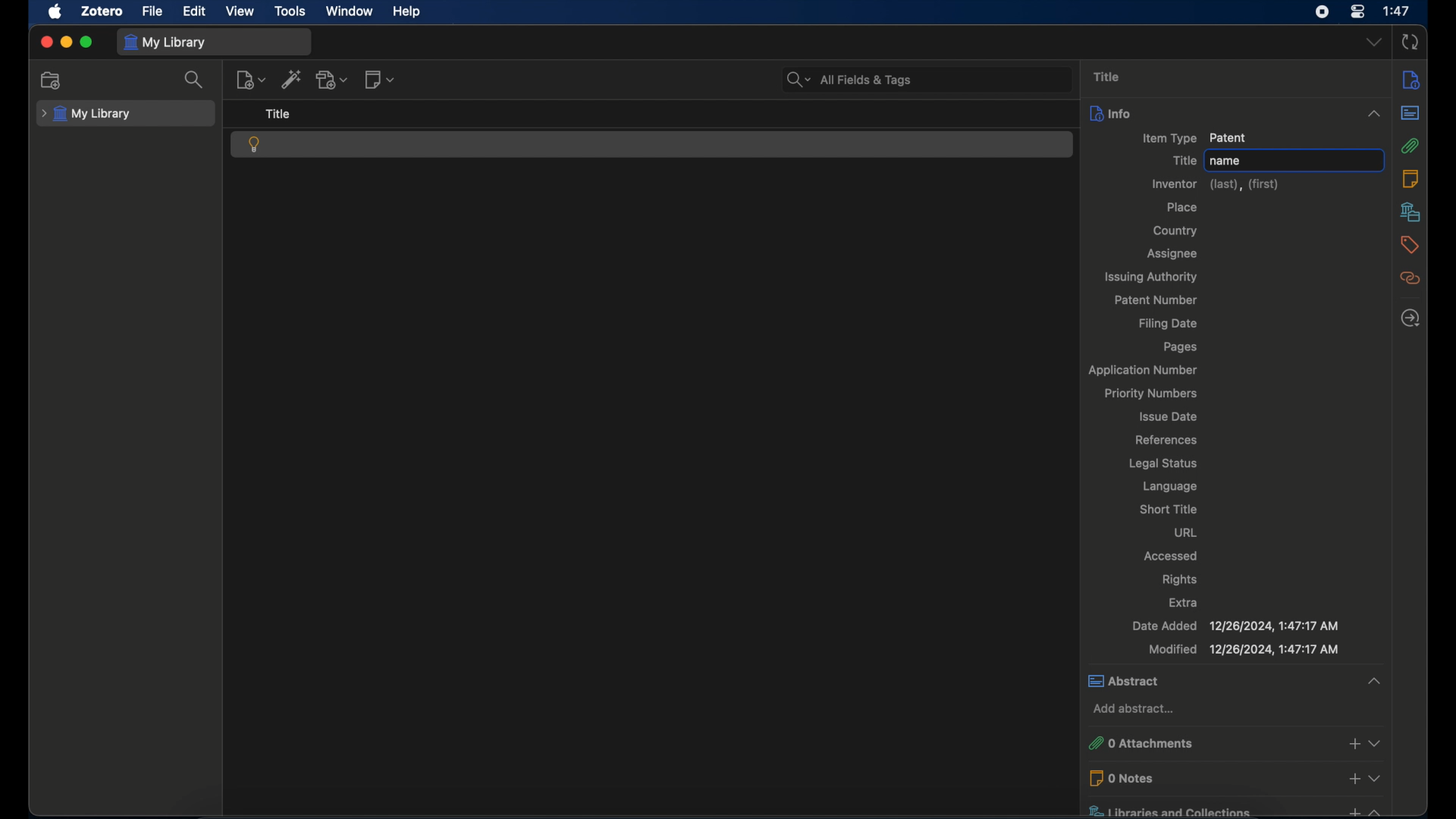 The image size is (1456, 819). I want to click on title, so click(279, 114).